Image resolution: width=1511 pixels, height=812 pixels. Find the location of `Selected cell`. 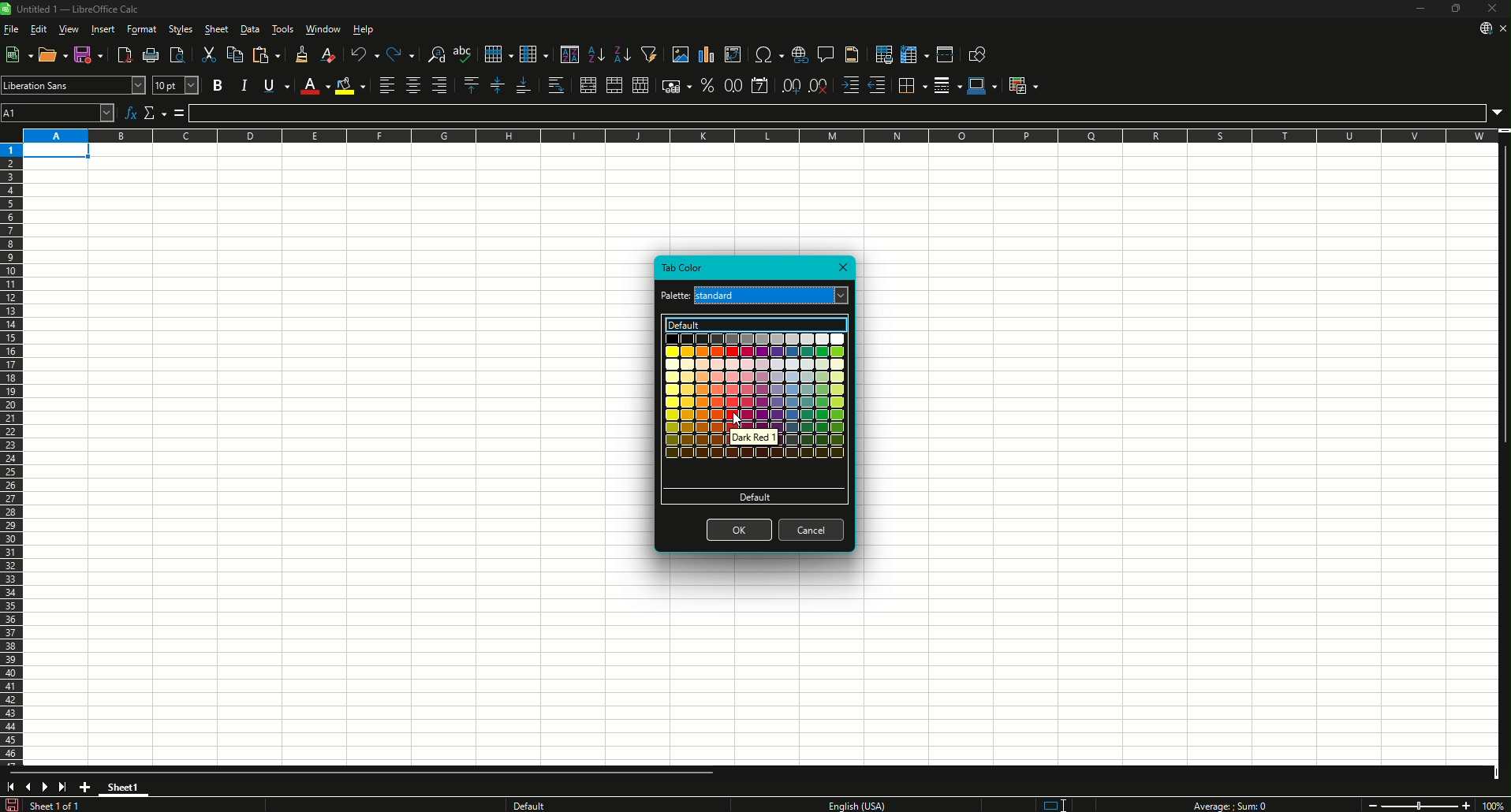

Selected cell is located at coordinates (57, 151).